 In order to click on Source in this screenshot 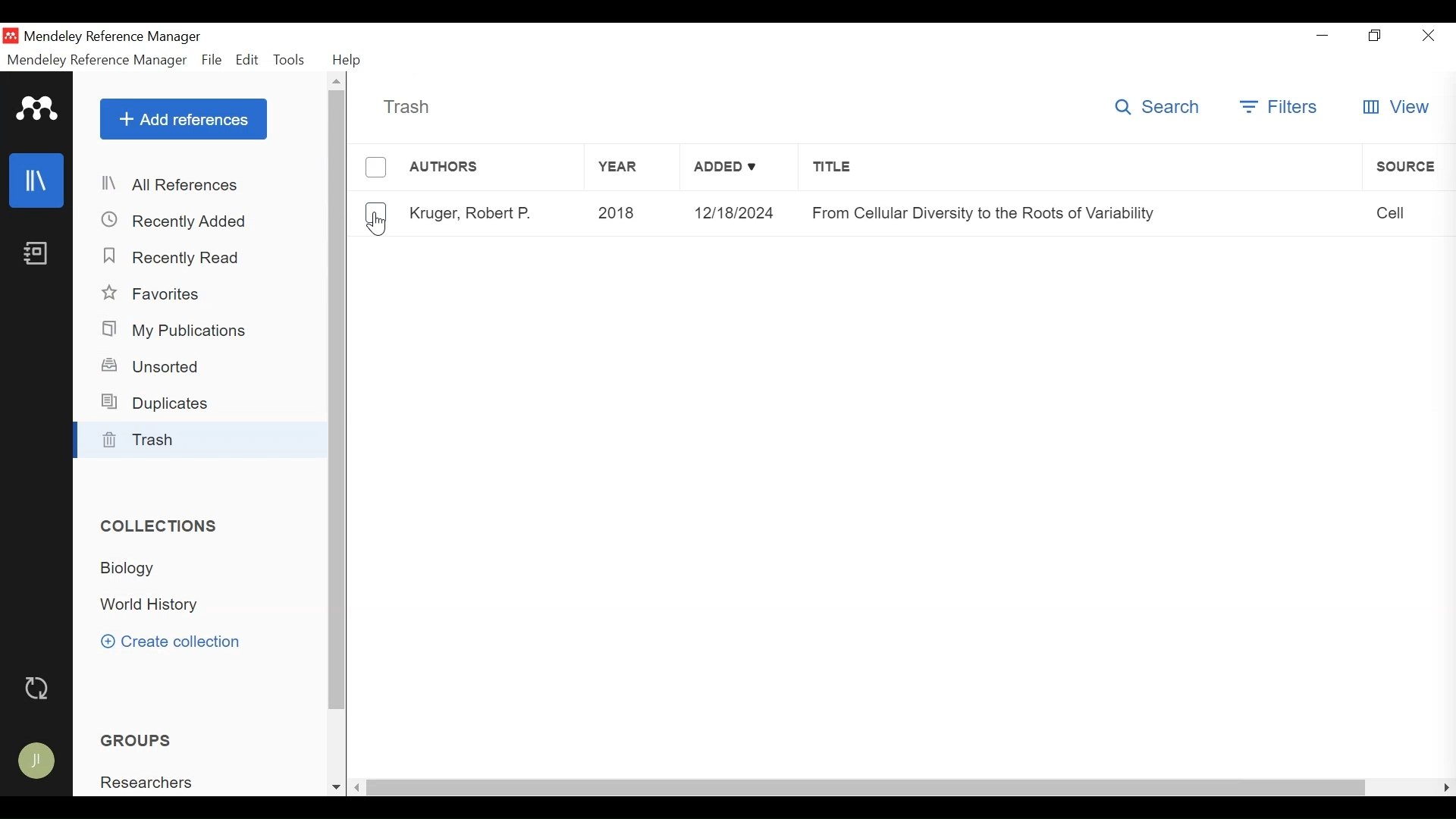, I will do `click(1408, 168)`.